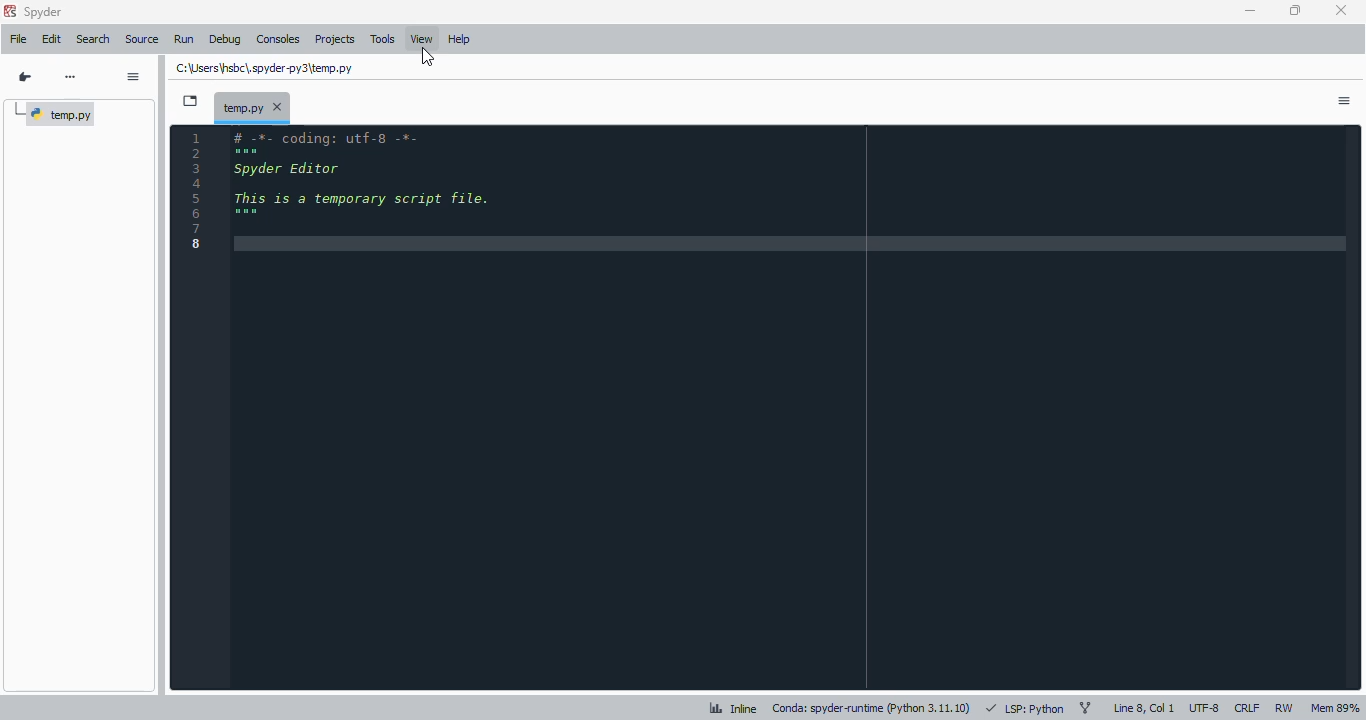  What do you see at coordinates (226, 40) in the screenshot?
I see `debug` at bounding box center [226, 40].